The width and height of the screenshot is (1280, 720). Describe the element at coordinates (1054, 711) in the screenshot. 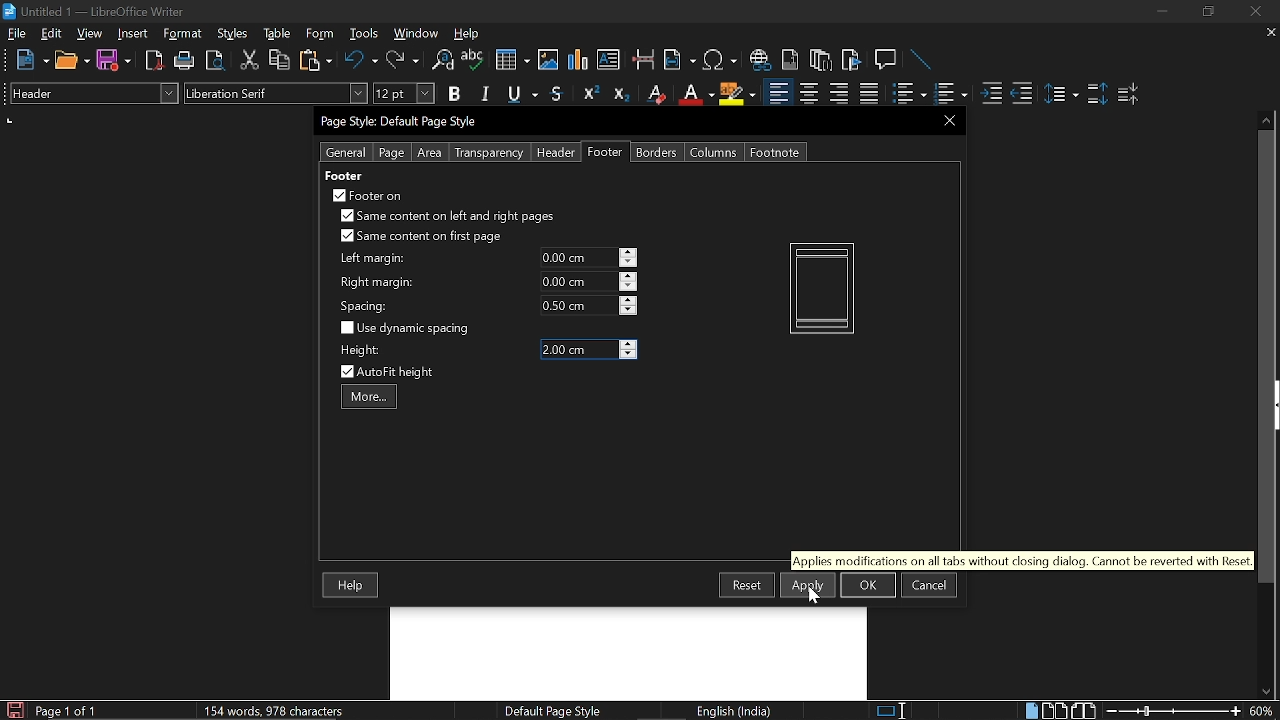

I see `Multiple page view` at that location.